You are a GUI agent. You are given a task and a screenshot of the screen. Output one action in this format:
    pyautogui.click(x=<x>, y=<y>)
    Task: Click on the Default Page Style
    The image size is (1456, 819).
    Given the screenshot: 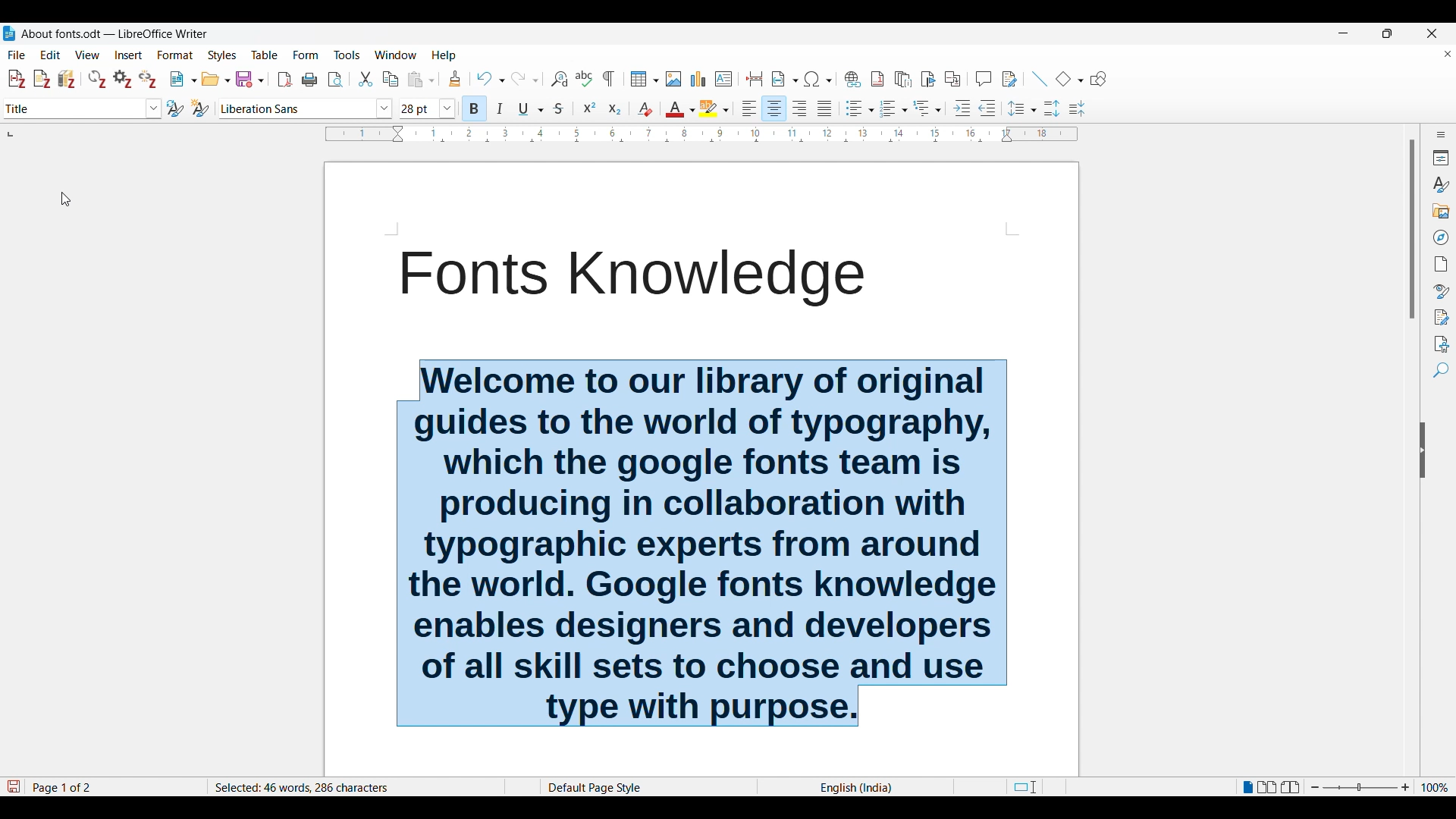 What is the action you would take?
    pyautogui.click(x=598, y=788)
    